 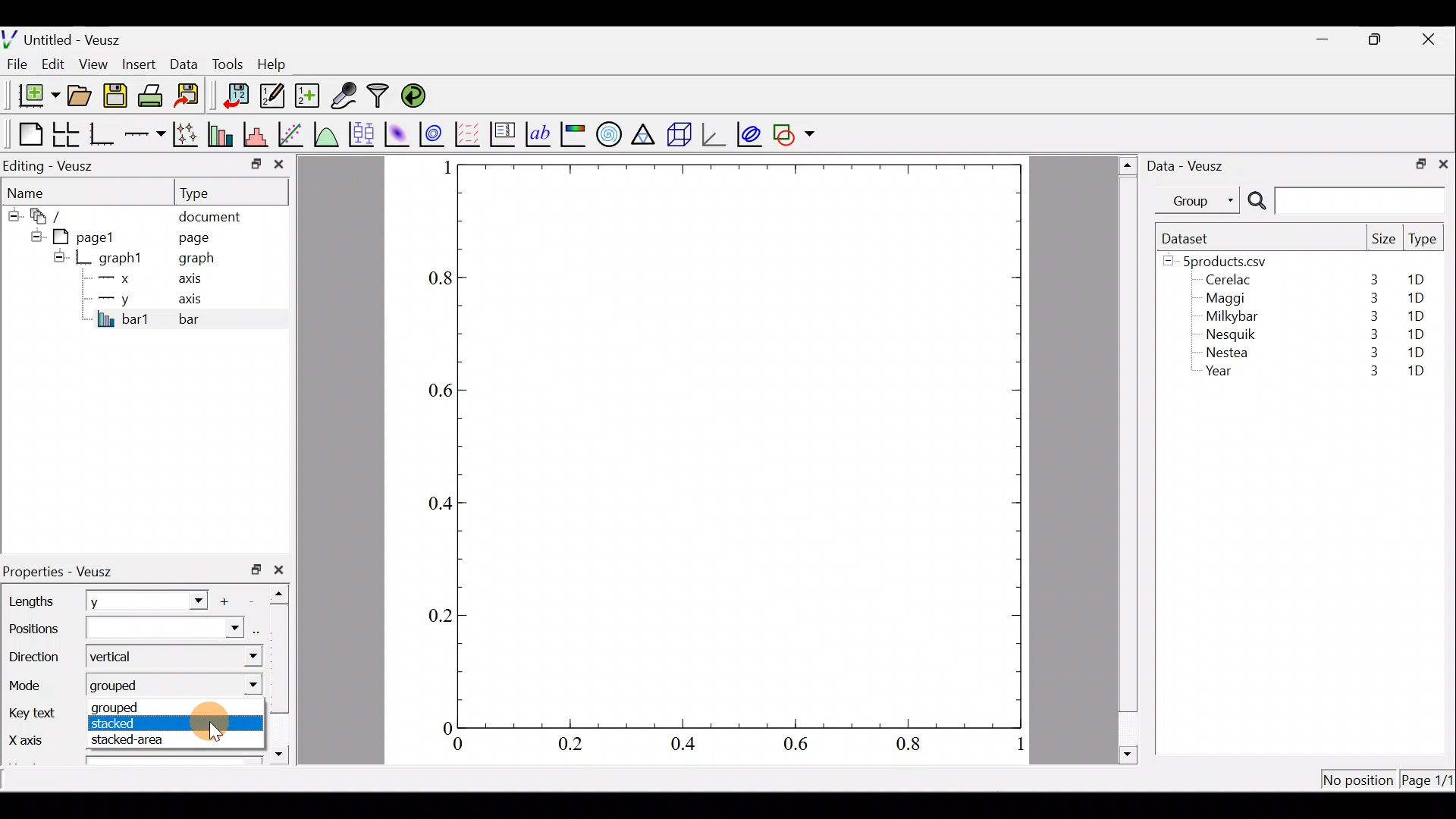 I want to click on 3, so click(x=1373, y=279).